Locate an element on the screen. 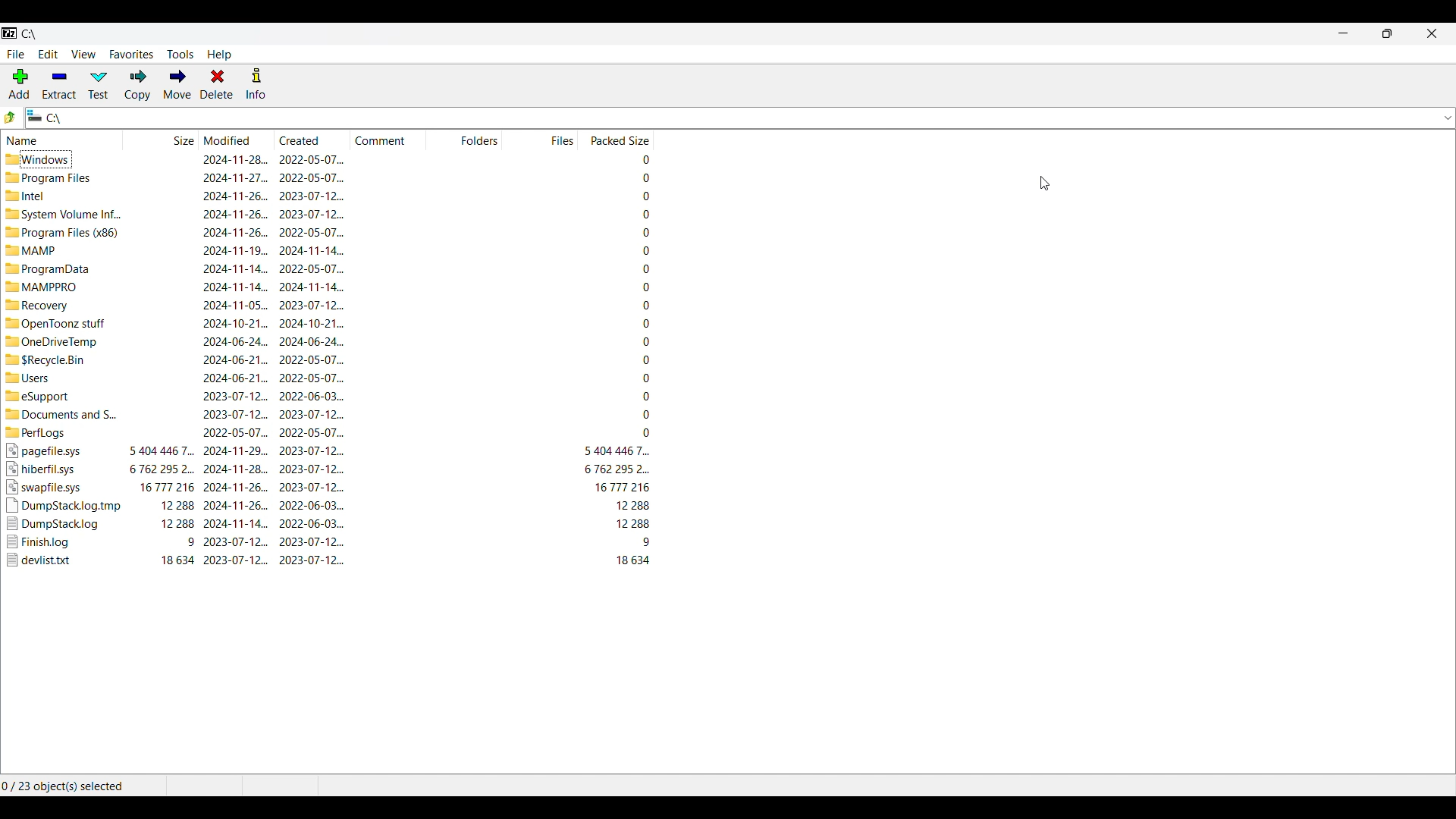  Add is located at coordinates (20, 84).